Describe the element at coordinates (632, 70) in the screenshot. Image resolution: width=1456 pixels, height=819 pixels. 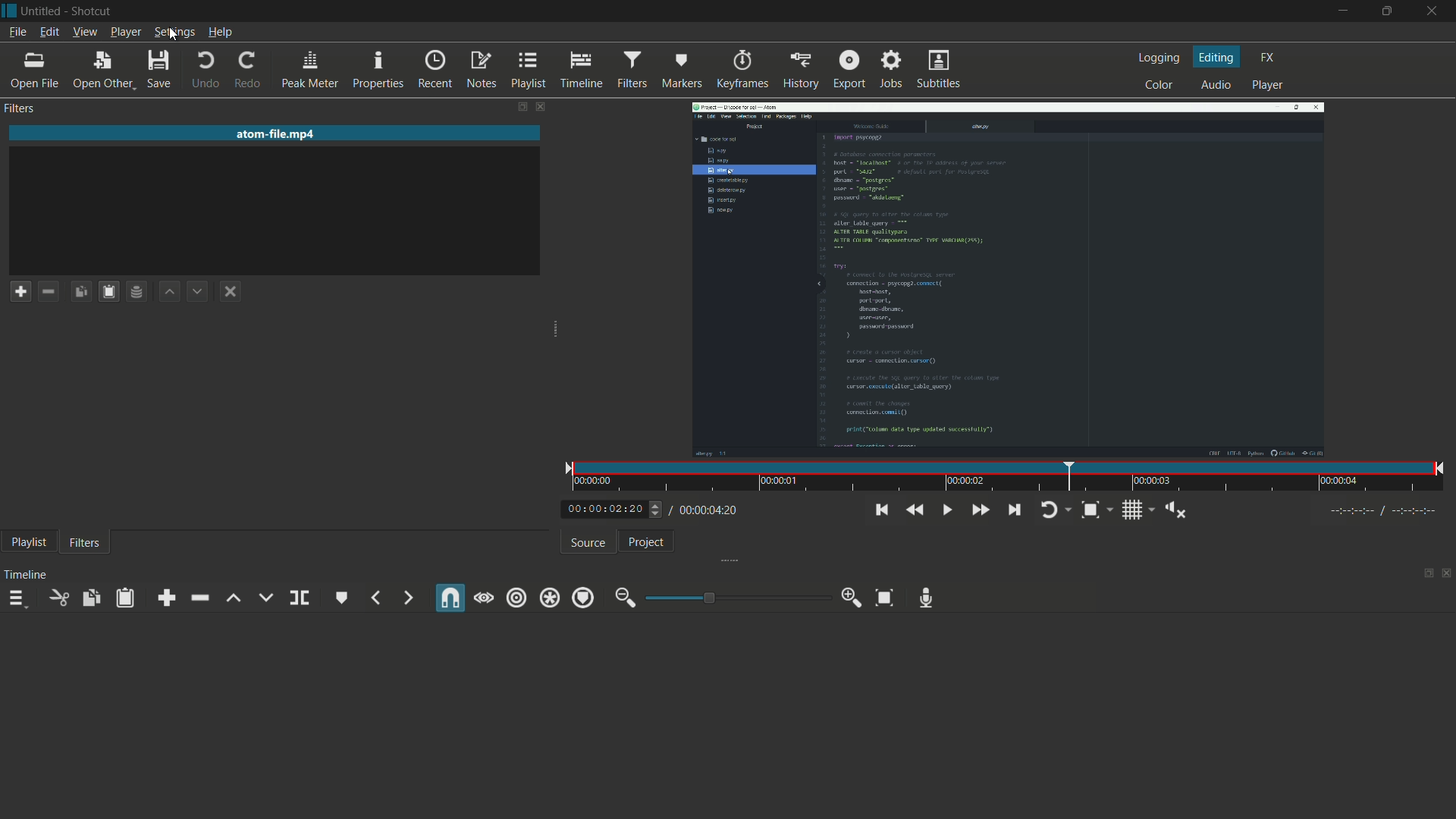
I see `filters` at that location.